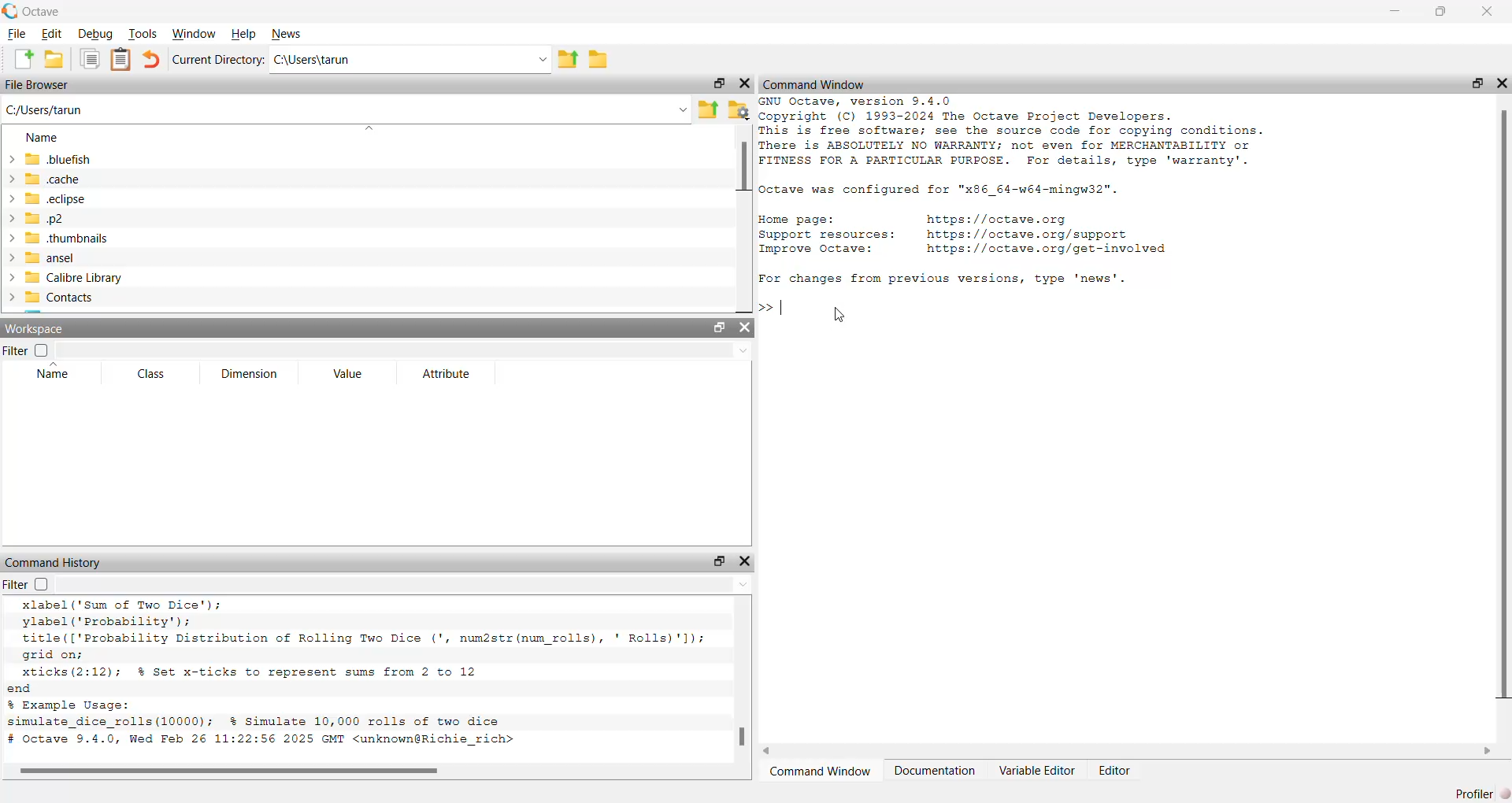 Image resolution: width=1512 pixels, height=803 pixels. What do you see at coordinates (748, 560) in the screenshot?
I see `Close` at bounding box center [748, 560].